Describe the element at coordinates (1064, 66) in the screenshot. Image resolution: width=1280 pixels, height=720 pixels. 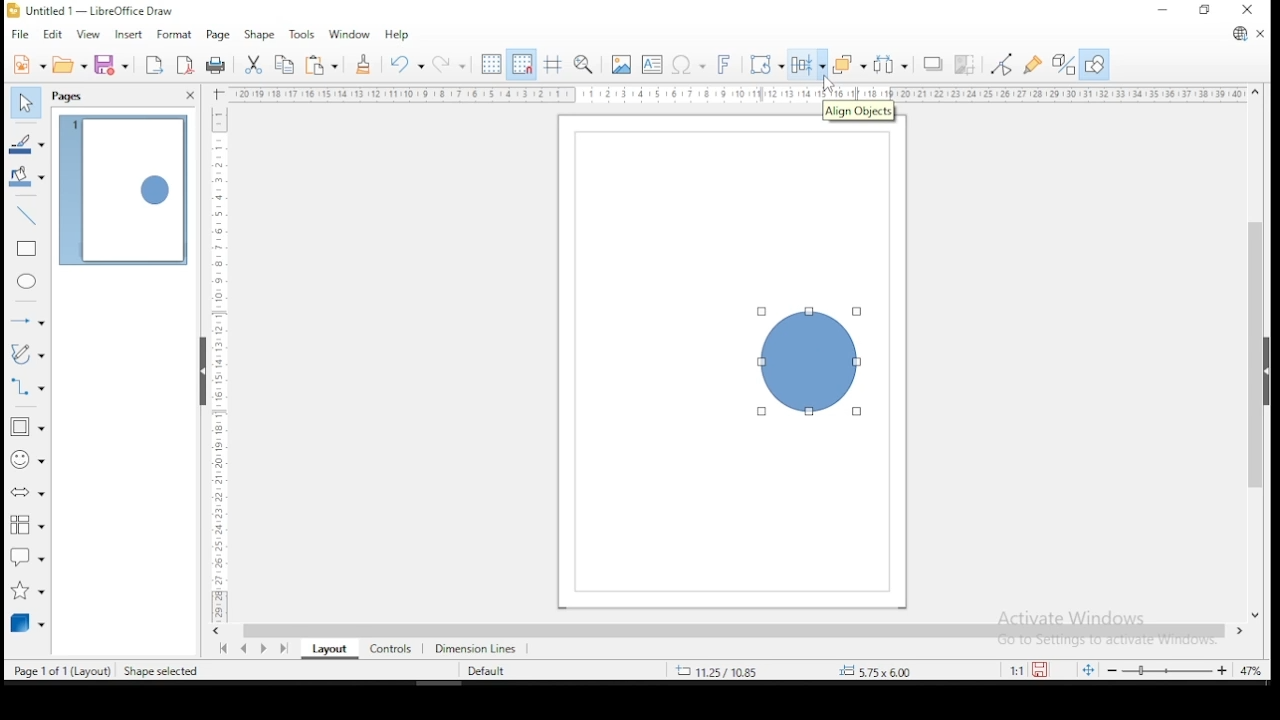
I see `toggle extrusions` at that location.